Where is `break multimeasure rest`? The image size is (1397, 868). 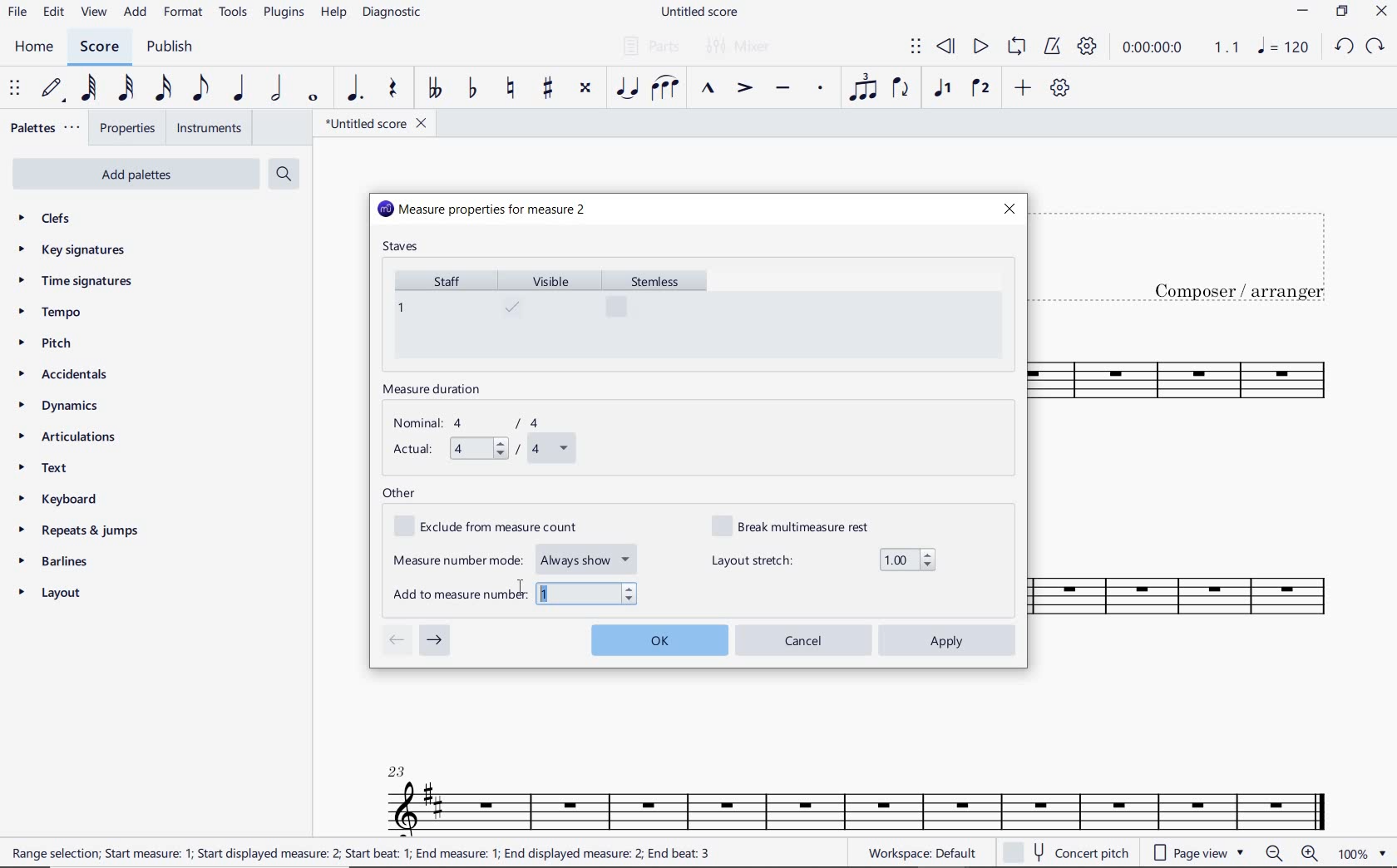
break multimeasure rest is located at coordinates (802, 525).